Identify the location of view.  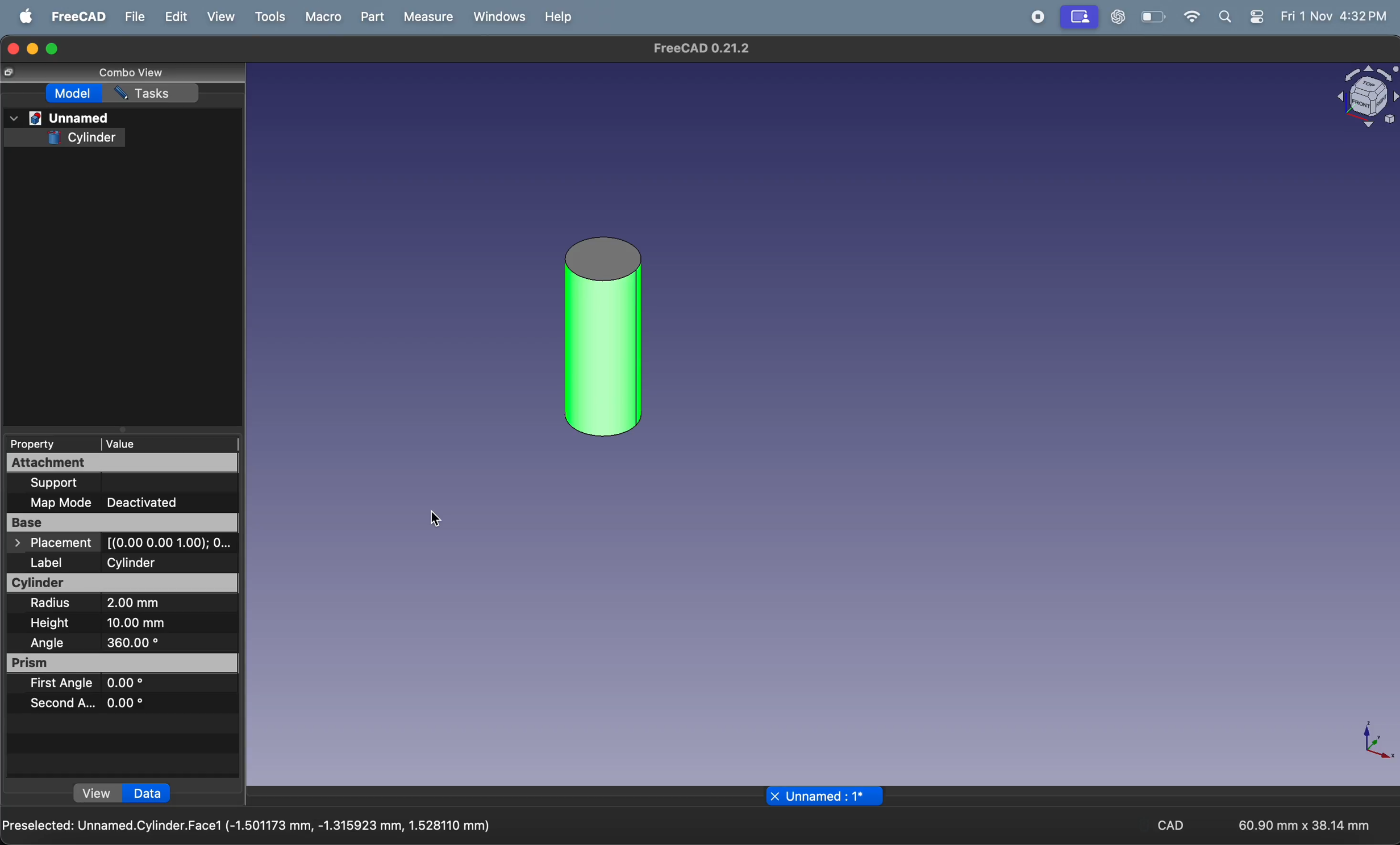
(215, 17).